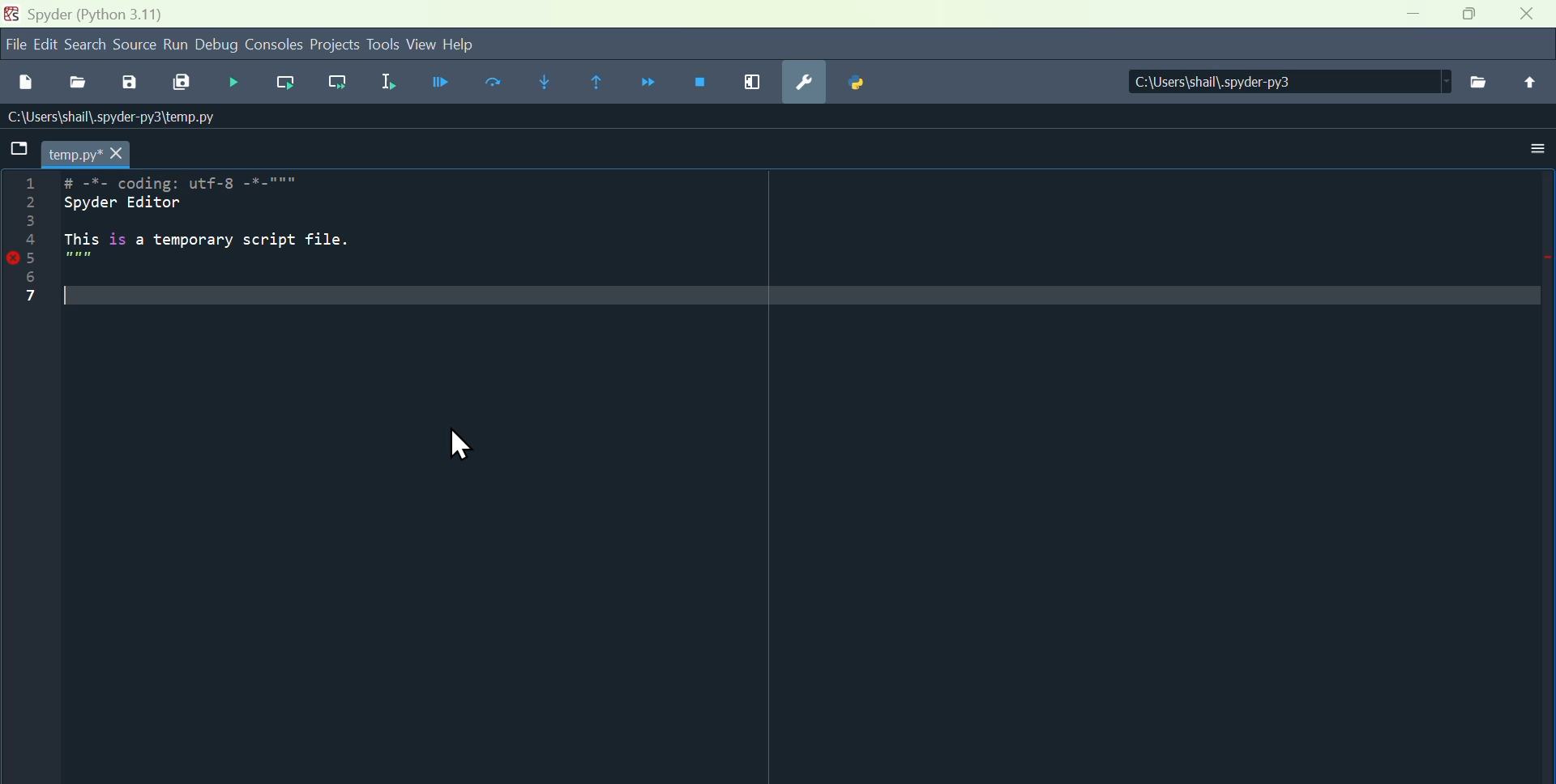 The image size is (1556, 784). What do you see at coordinates (101, 151) in the screenshot?
I see `temp.py` at bounding box center [101, 151].